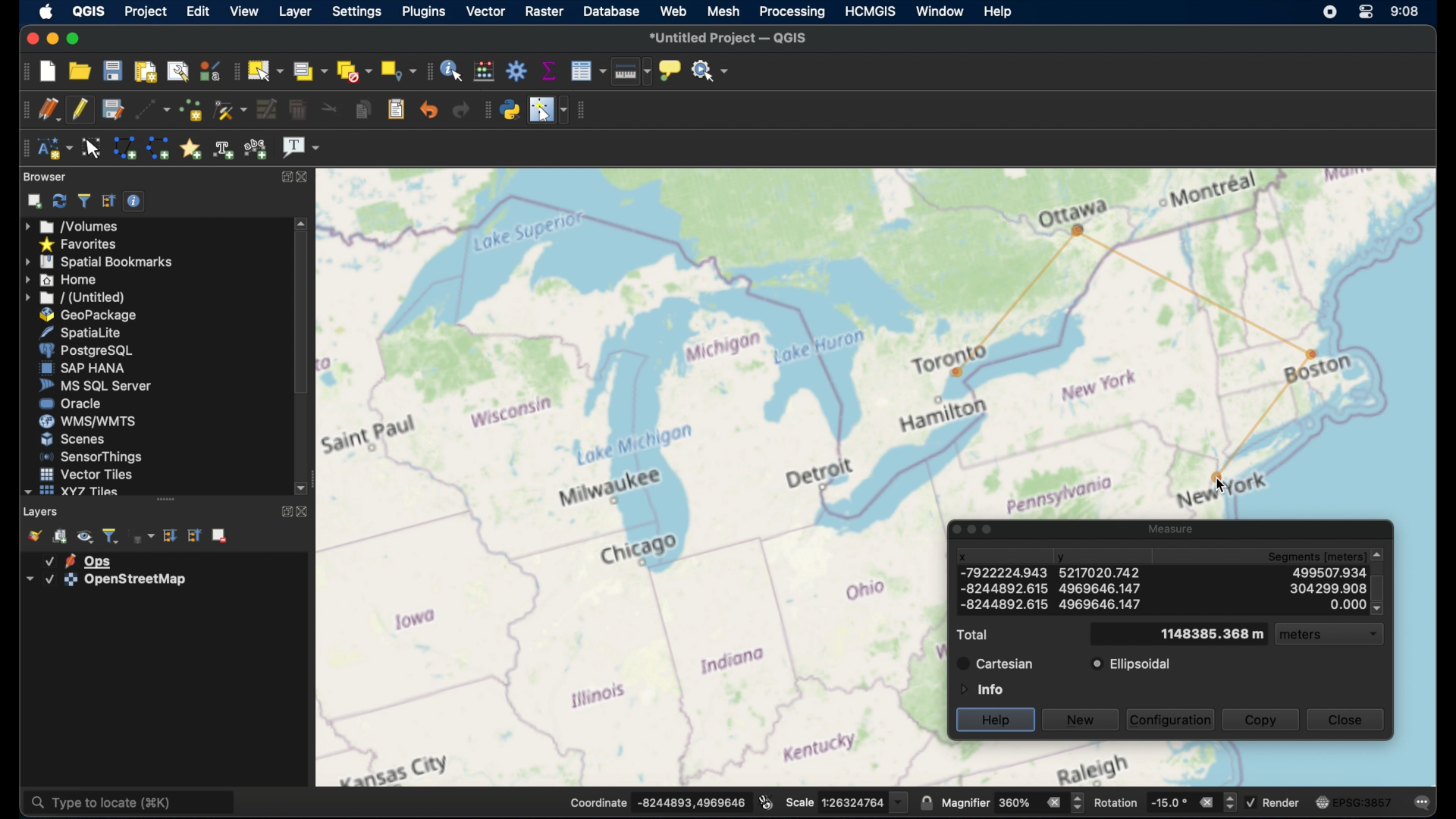 The height and width of the screenshot is (819, 1456). What do you see at coordinates (111, 108) in the screenshot?
I see `save layer edits` at bounding box center [111, 108].